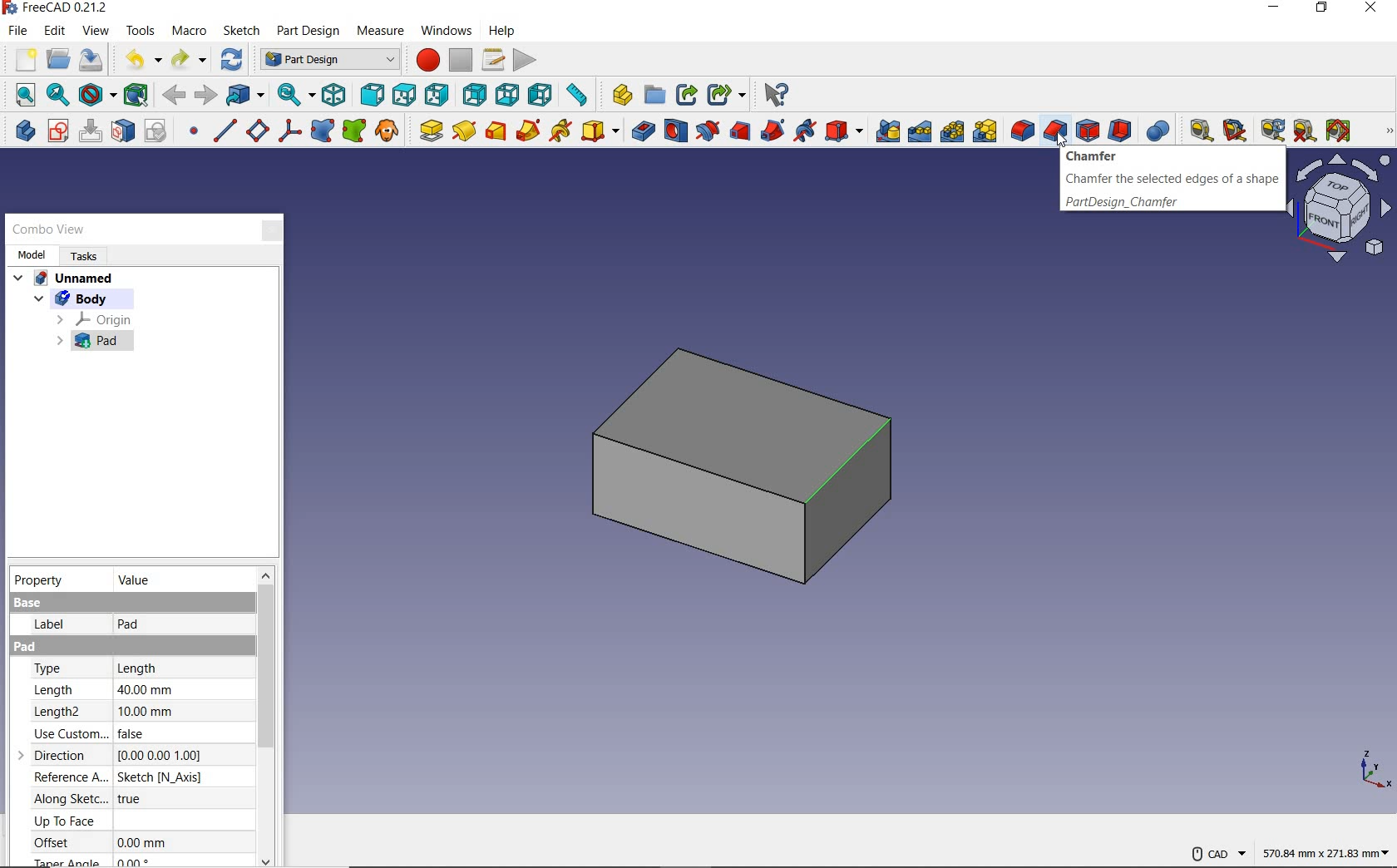 The width and height of the screenshot is (1397, 868). I want to click on mirrored, so click(888, 131).